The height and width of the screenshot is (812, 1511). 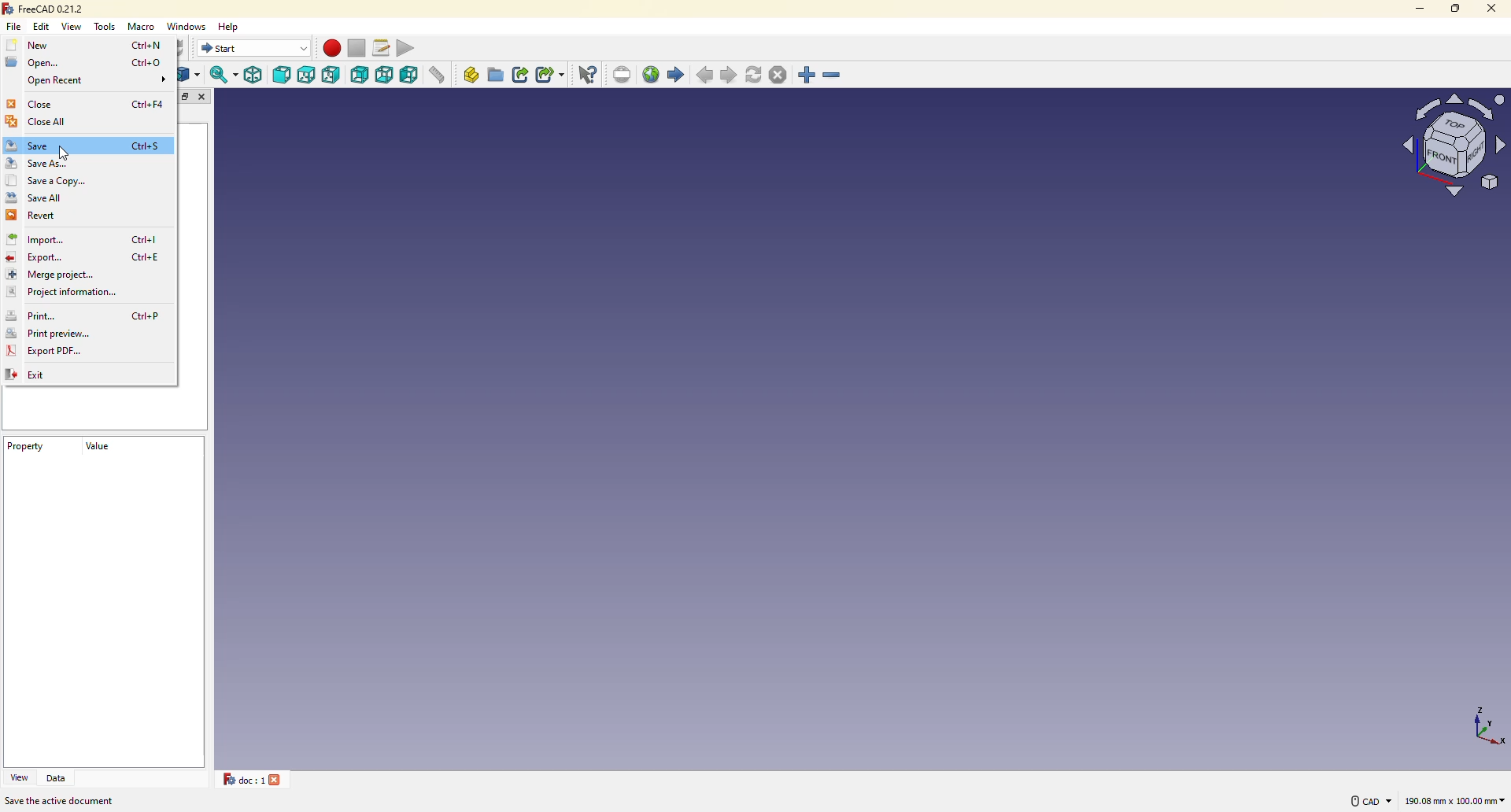 I want to click on open recent, so click(x=54, y=83).